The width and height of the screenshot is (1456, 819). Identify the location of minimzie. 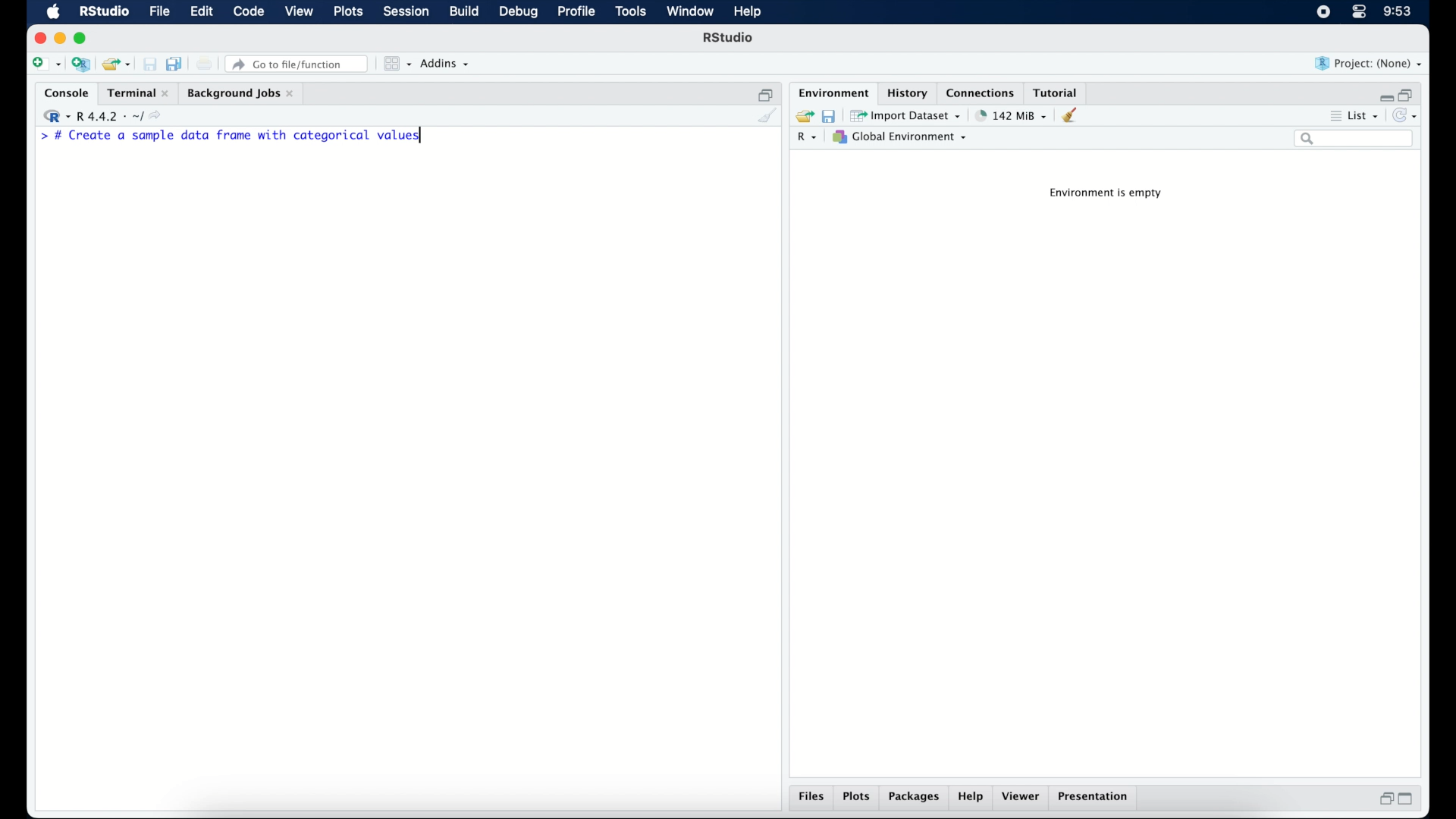
(59, 38).